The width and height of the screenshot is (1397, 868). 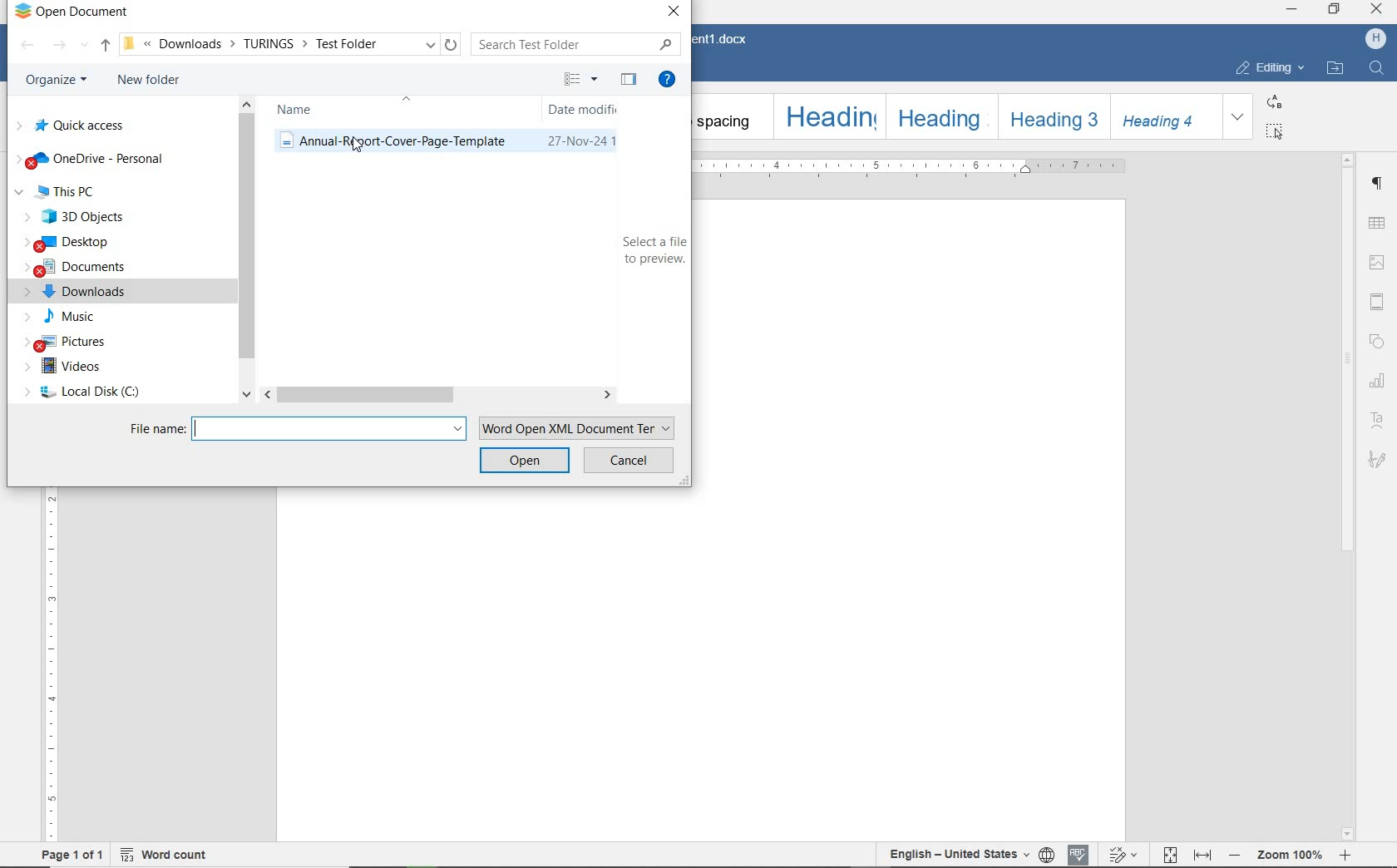 I want to click on select all, so click(x=1272, y=131).